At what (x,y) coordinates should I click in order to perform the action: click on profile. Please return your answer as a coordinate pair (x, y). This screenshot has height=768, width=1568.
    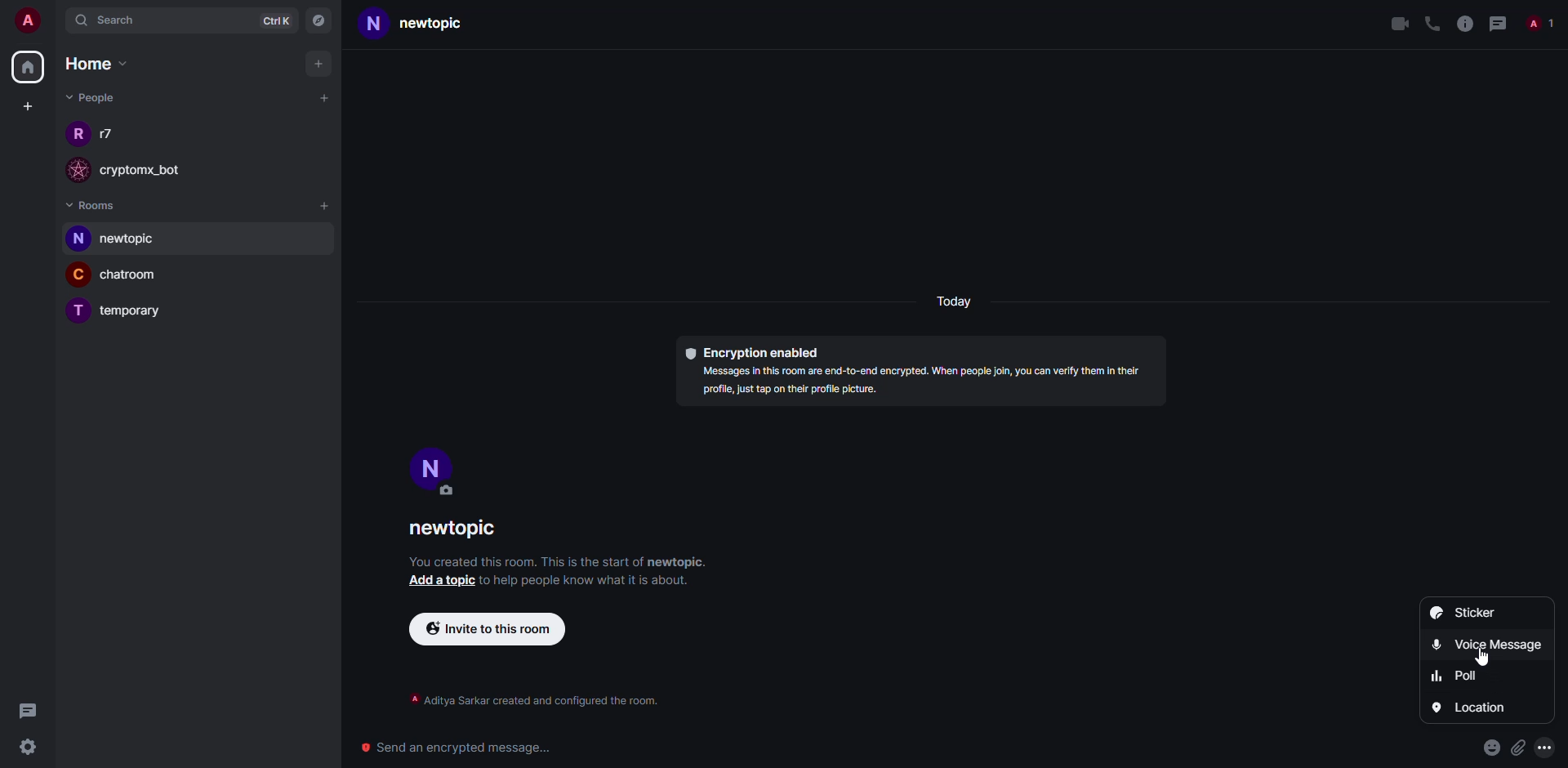
    Looking at the image, I should click on (432, 463).